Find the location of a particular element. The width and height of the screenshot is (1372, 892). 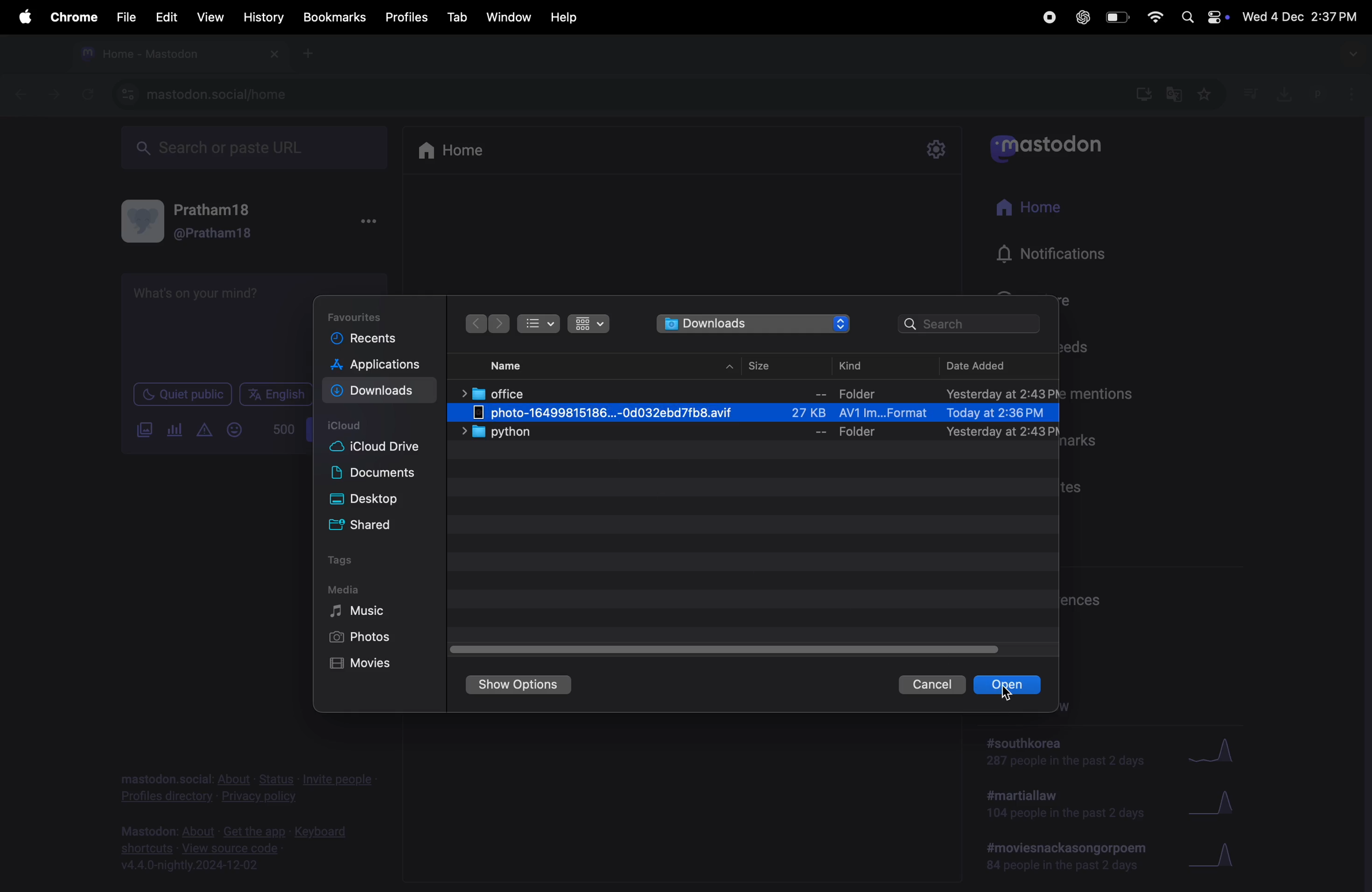

Bookmarks is located at coordinates (336, 18).